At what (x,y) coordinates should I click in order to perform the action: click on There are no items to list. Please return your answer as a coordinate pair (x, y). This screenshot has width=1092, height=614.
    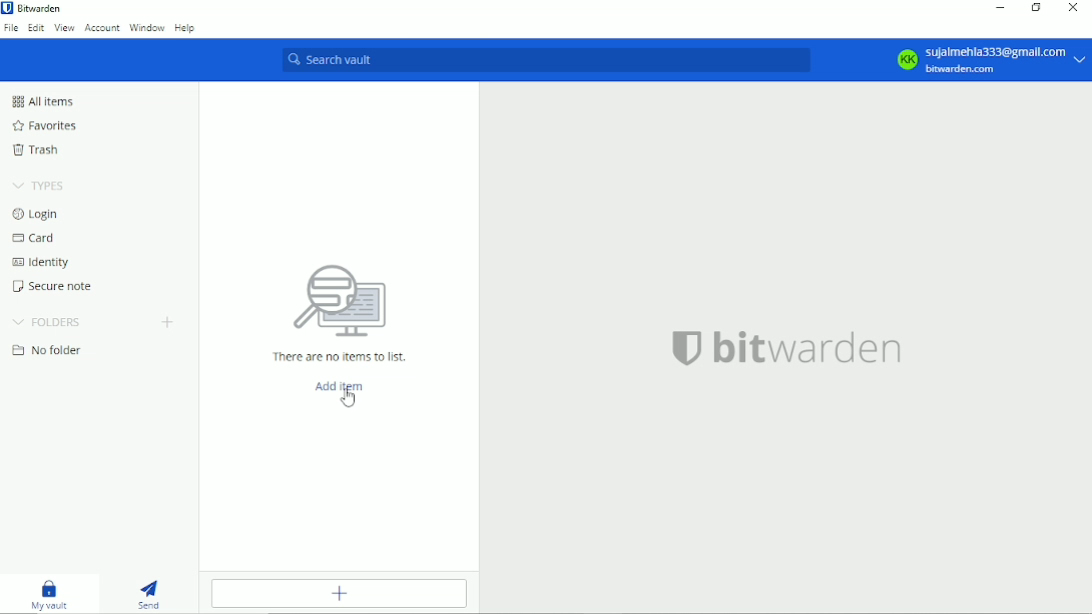
    Looking at the image, I should click on (337, 314).